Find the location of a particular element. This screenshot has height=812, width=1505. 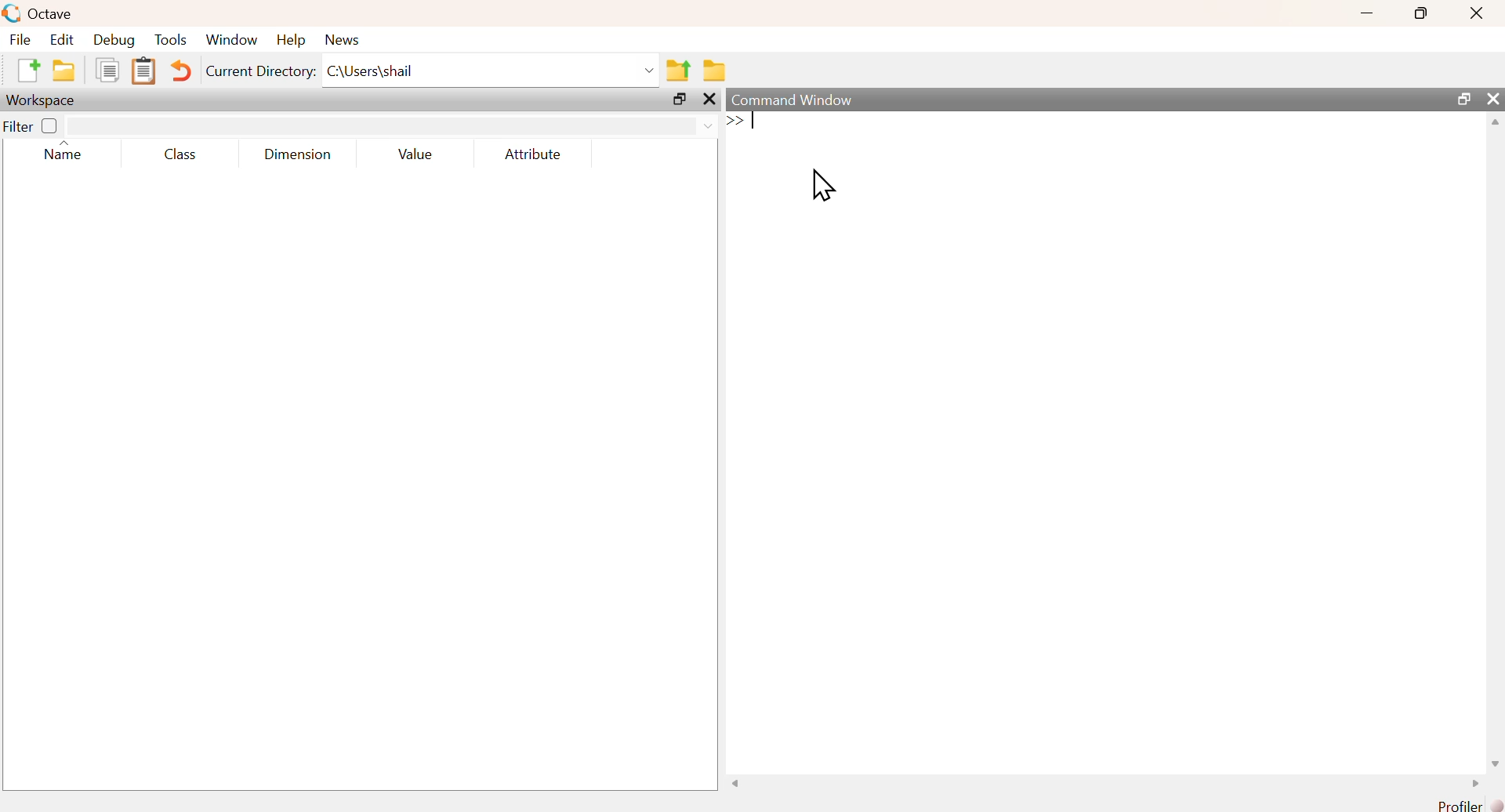

Window is located at coordinates (232, 40).